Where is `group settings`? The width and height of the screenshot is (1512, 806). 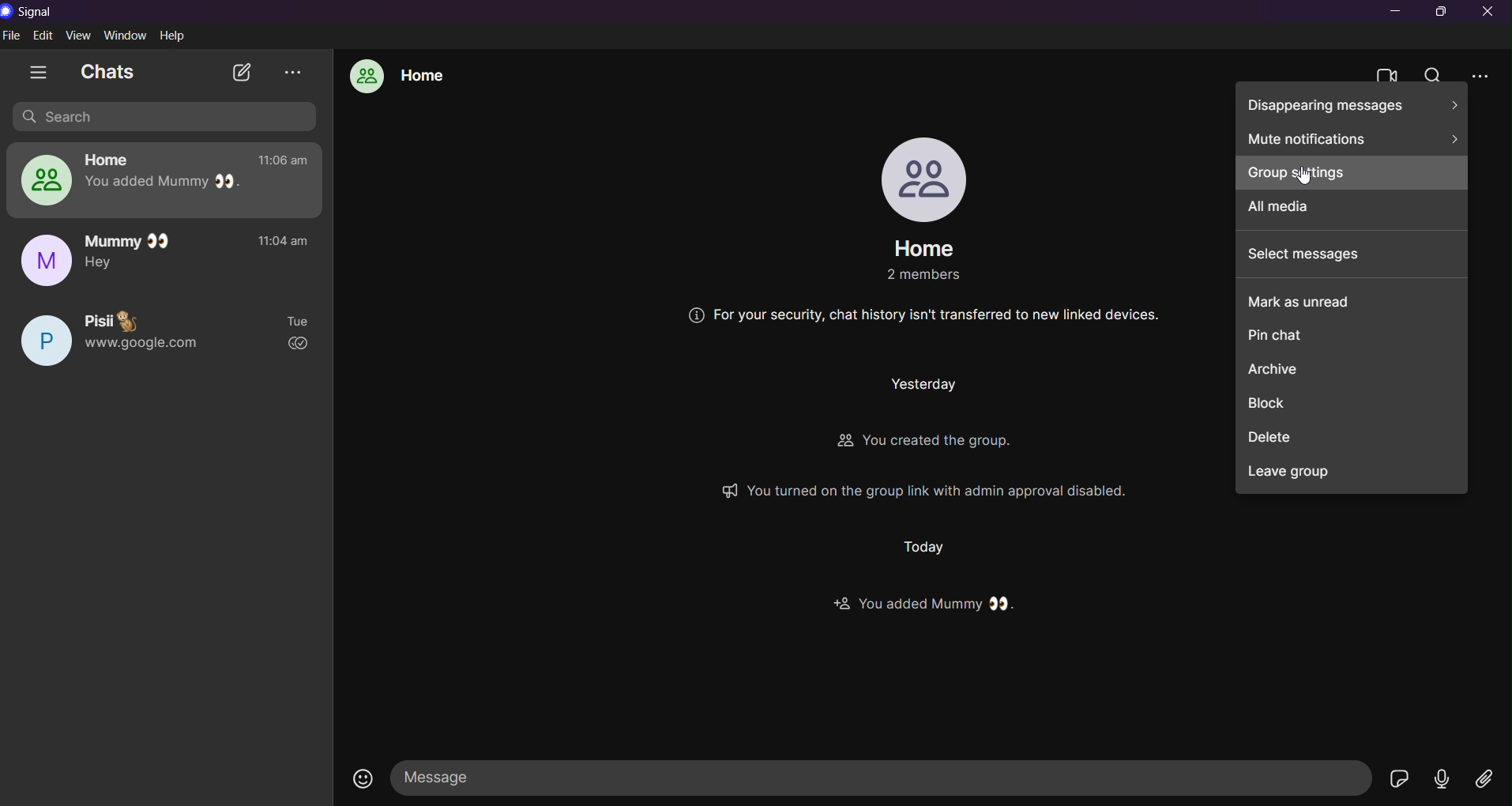 group settings is located at coordinates (1353, 173).